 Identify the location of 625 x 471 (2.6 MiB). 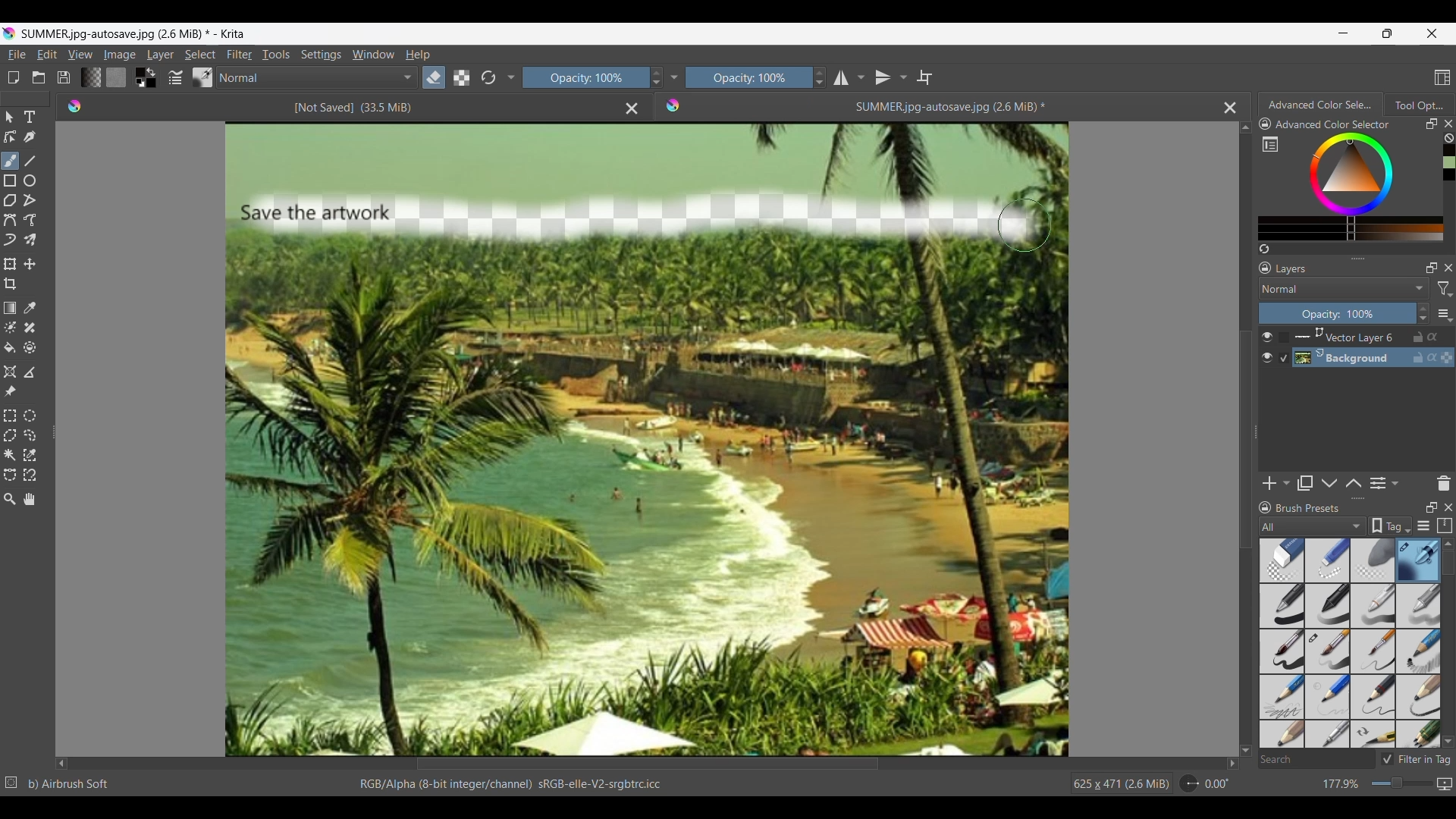
(1119, 784).